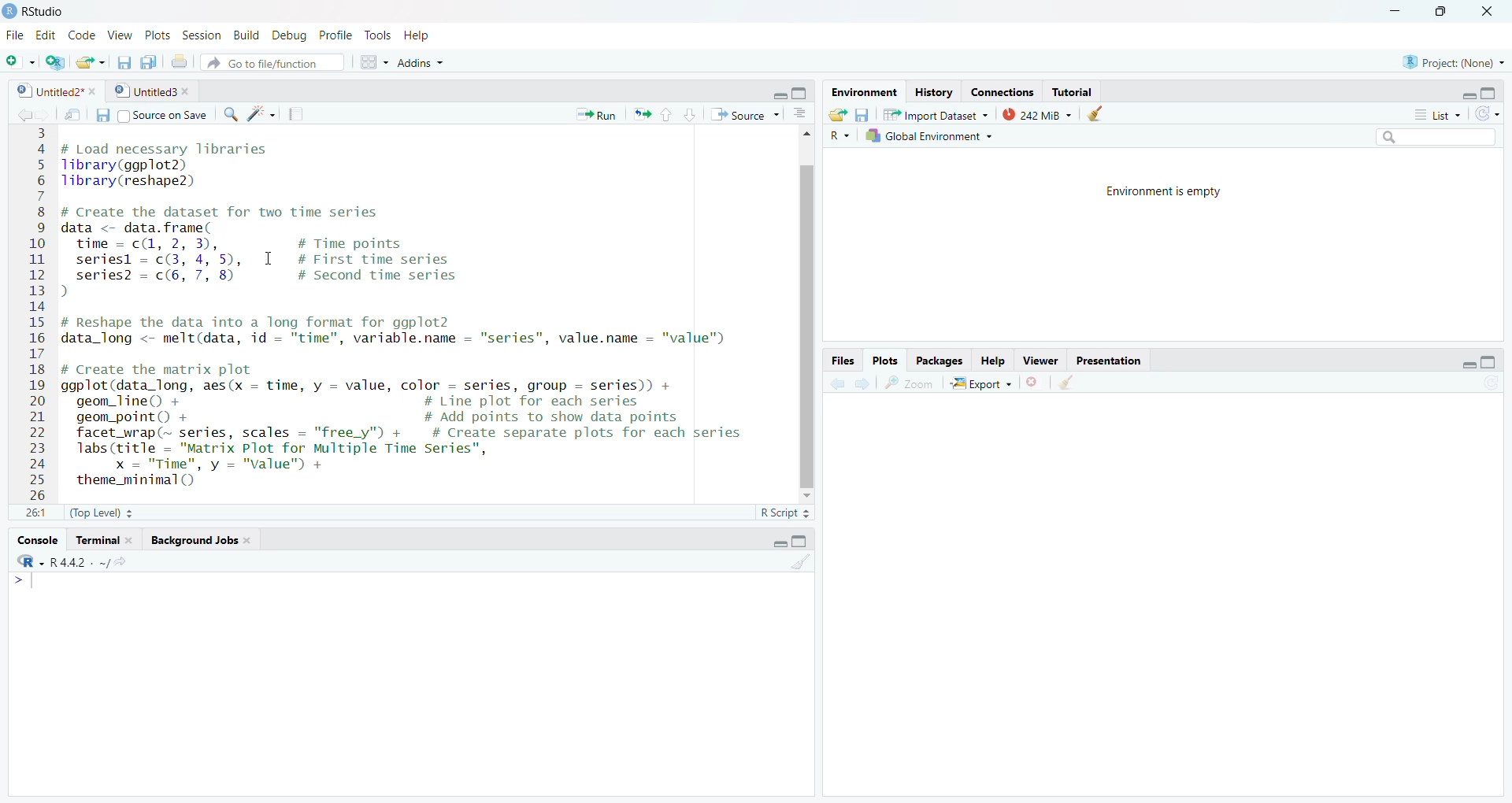 The image size is (1512, 803). I want to click on up, so click(665, 114).